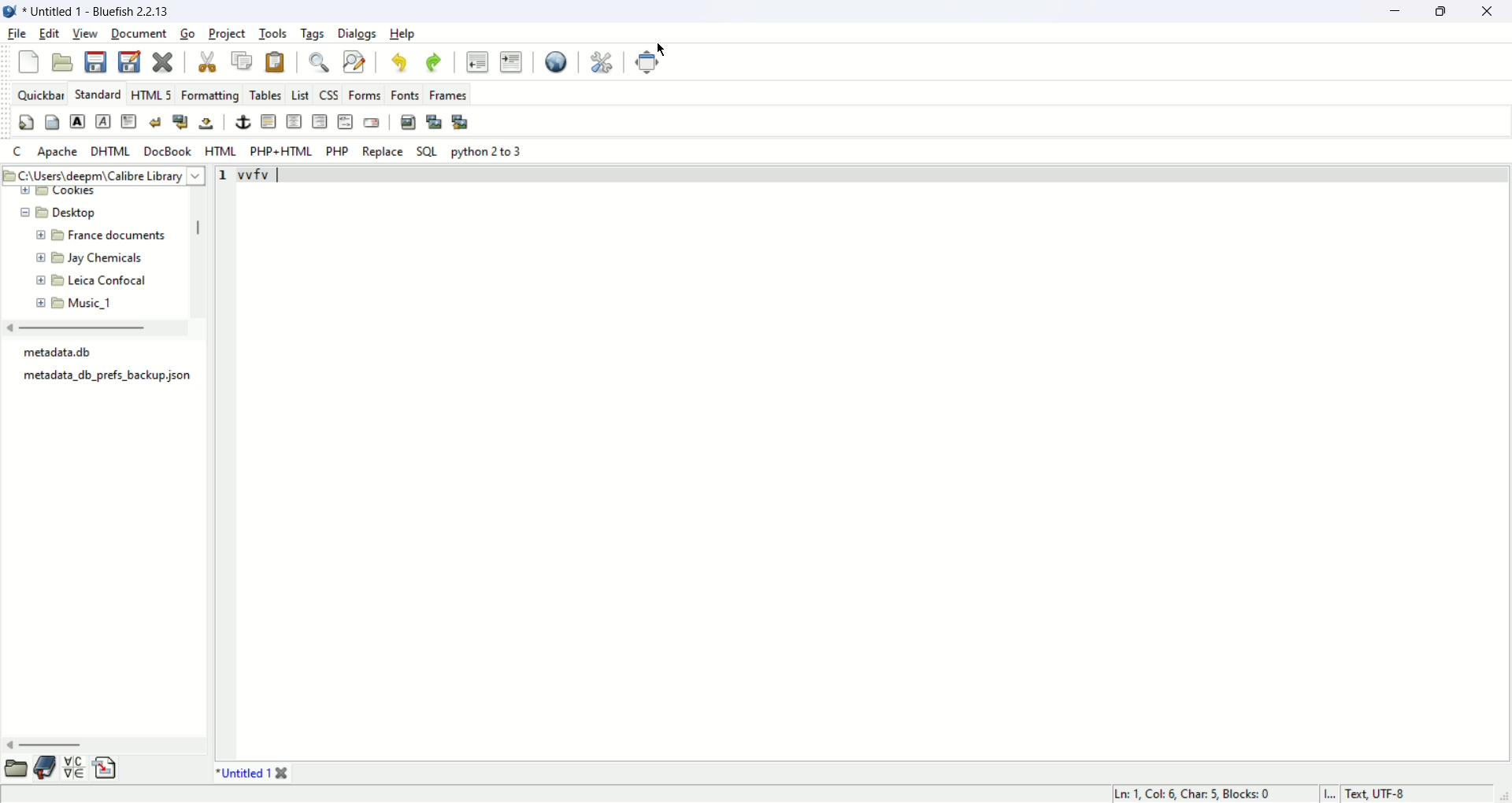 This screenshot has height=803, width=1512. I want to click on PHP, so click(337, 150).